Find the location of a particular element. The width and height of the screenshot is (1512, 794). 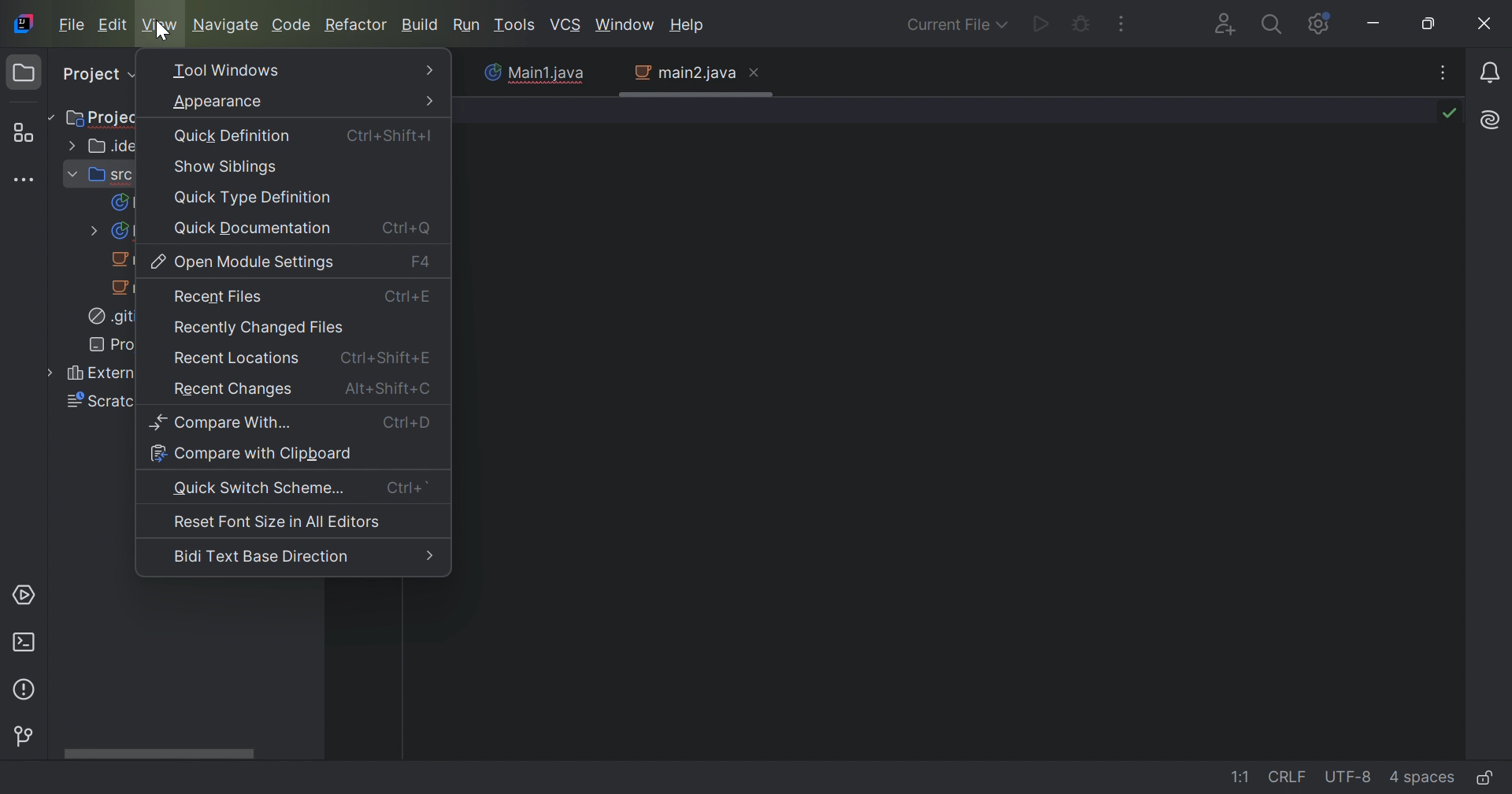

Alt=Shift+C is located at coordinates (387, 388).